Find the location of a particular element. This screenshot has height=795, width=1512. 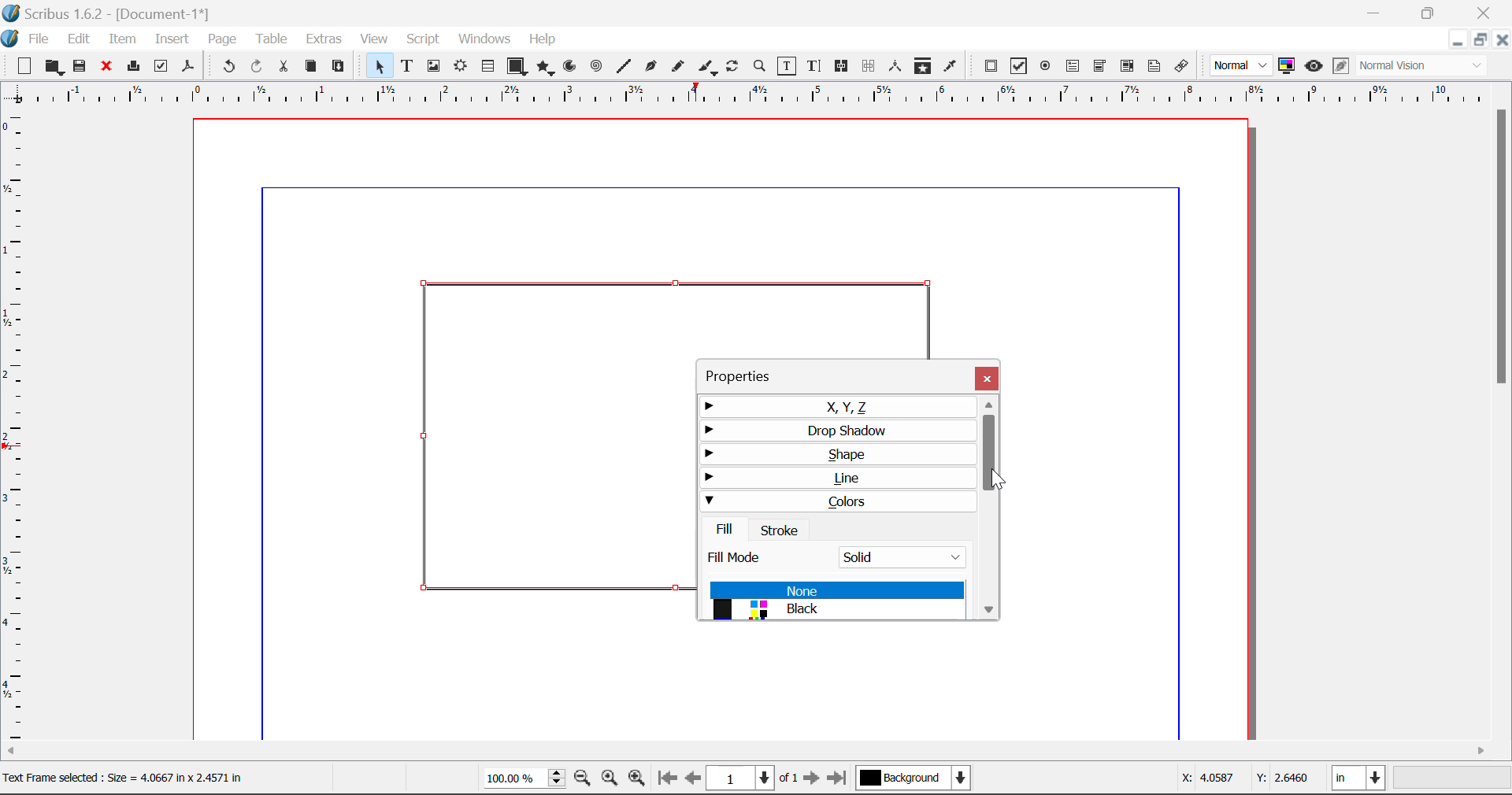

Cursor Position is located at coordinates (998, 479).